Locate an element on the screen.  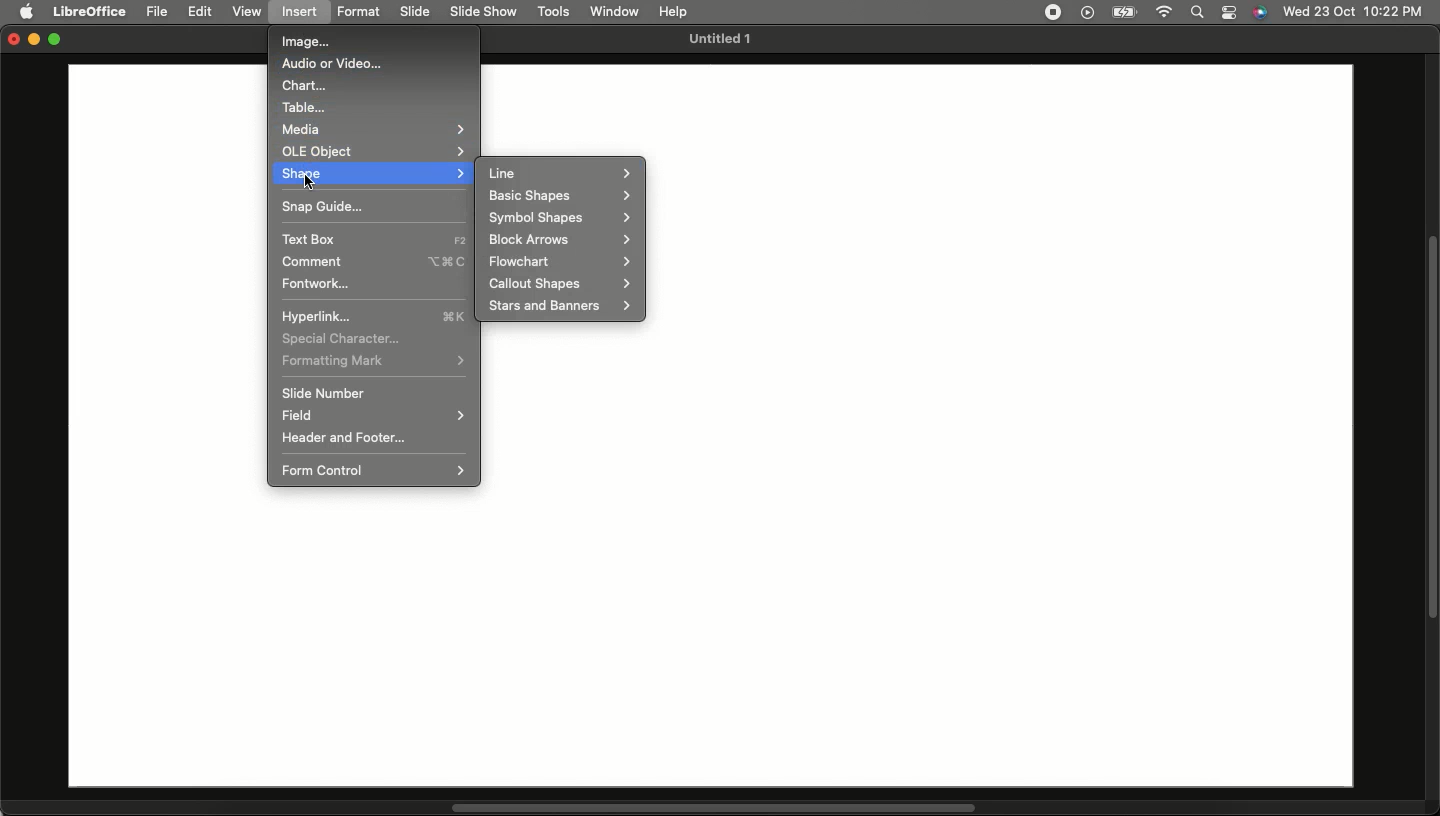
Text box is located at coordinates (374, 239).